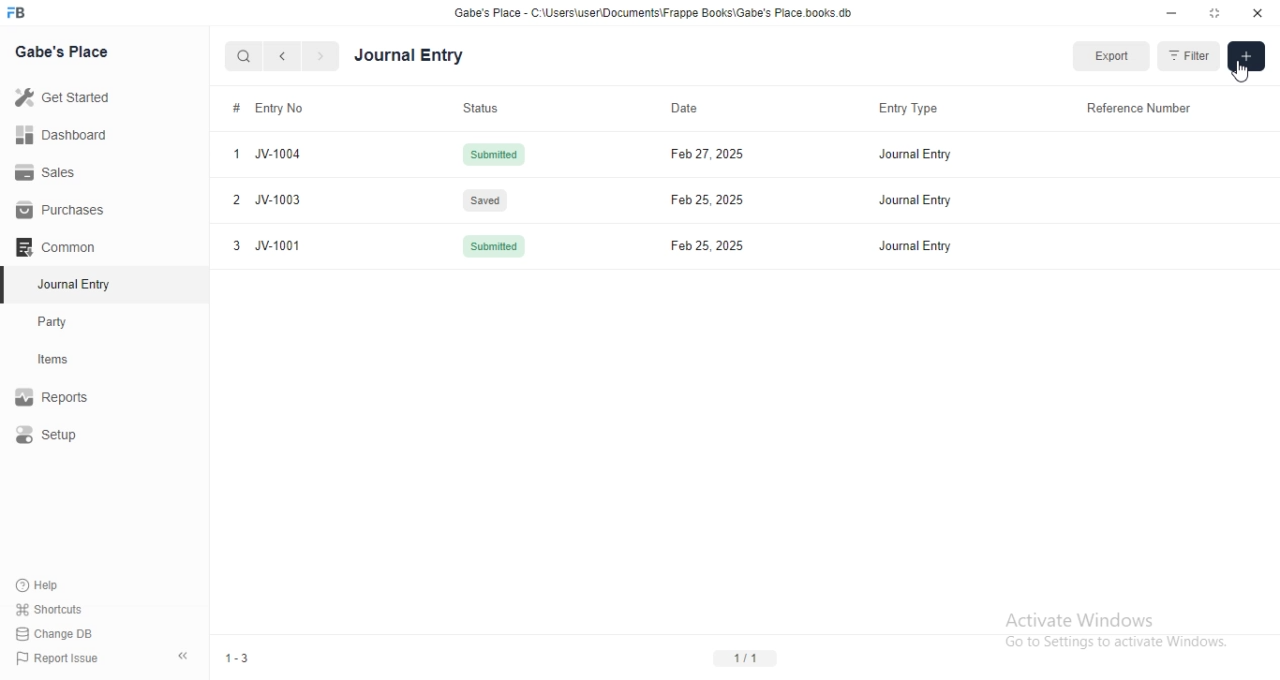  What do you see at coordinates (1170, 16) in the screenshot?
I see `minimize` at bounding box center [1170, 16].